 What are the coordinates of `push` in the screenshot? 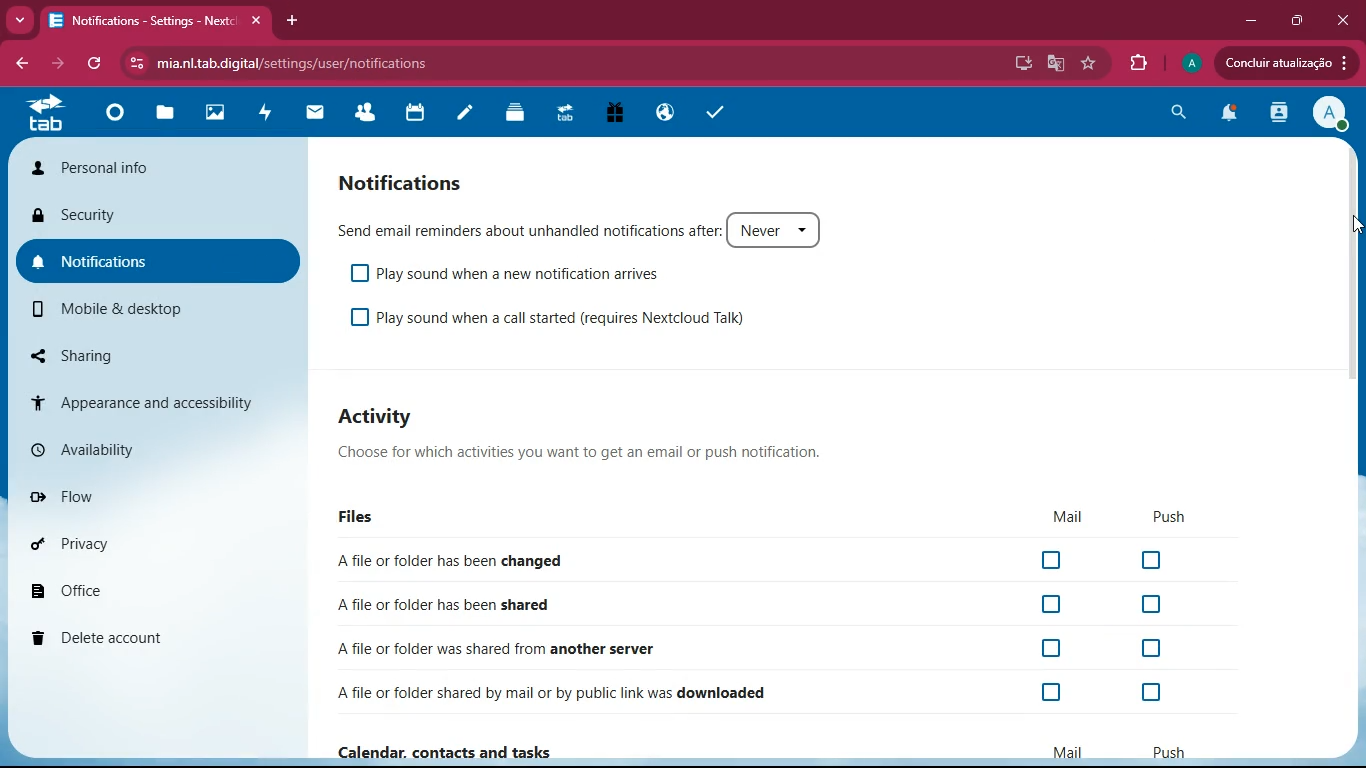 It's located at (1160, 517).